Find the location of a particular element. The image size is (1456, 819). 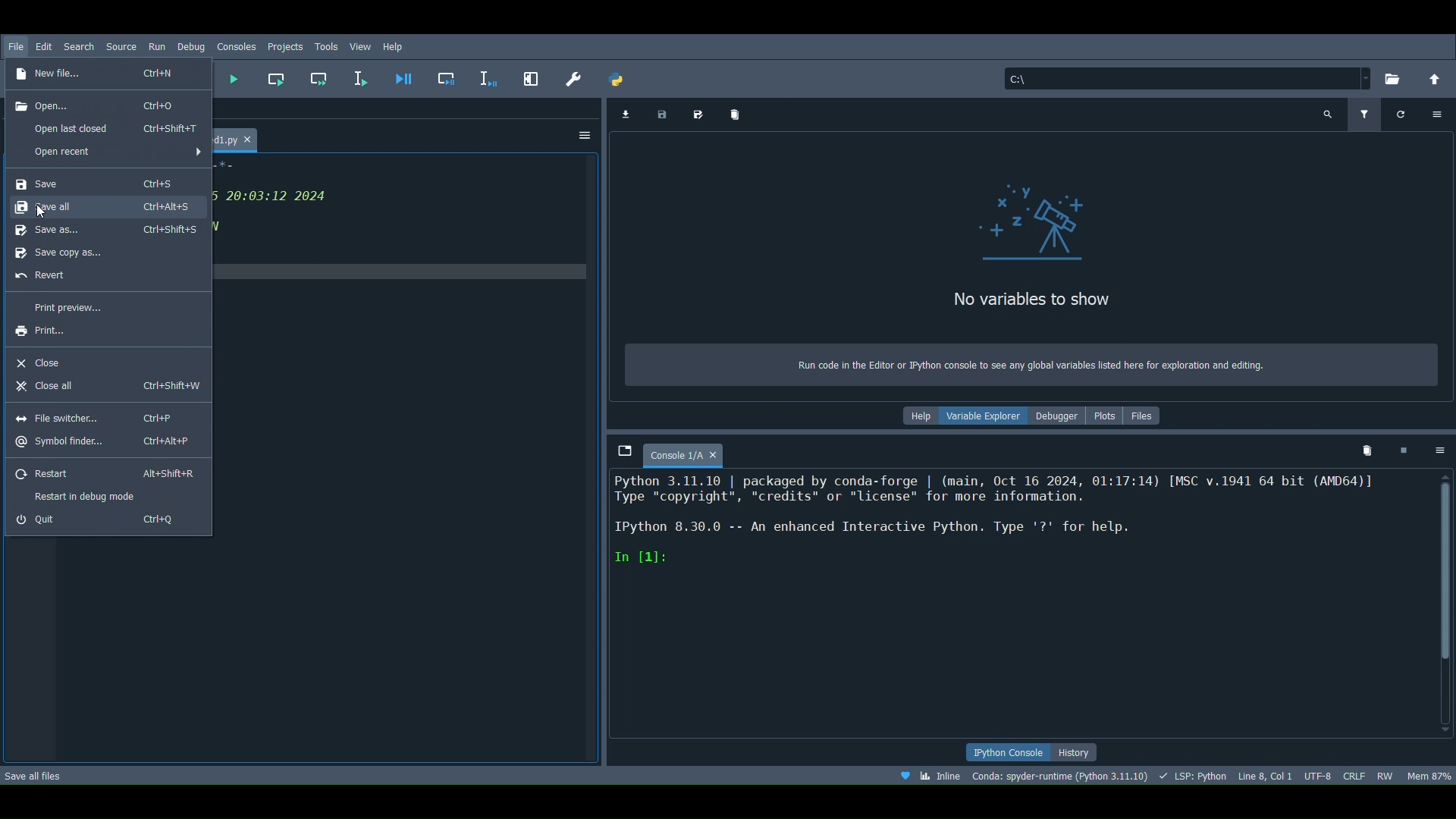

Projects is located at coordinates (286, 47).